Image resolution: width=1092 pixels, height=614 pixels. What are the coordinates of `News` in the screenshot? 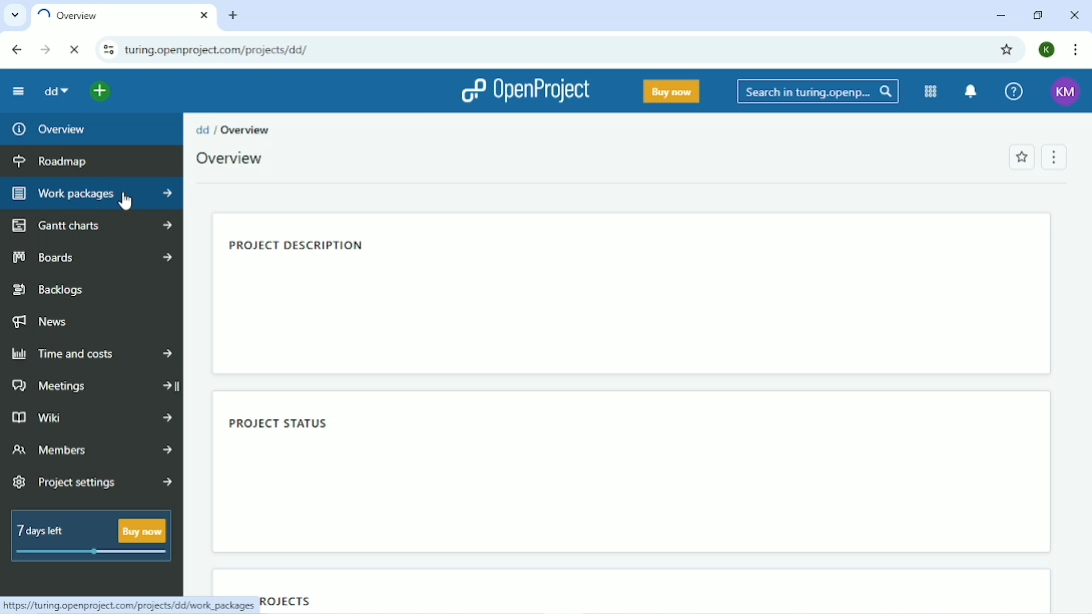 It's located at (40, 323).